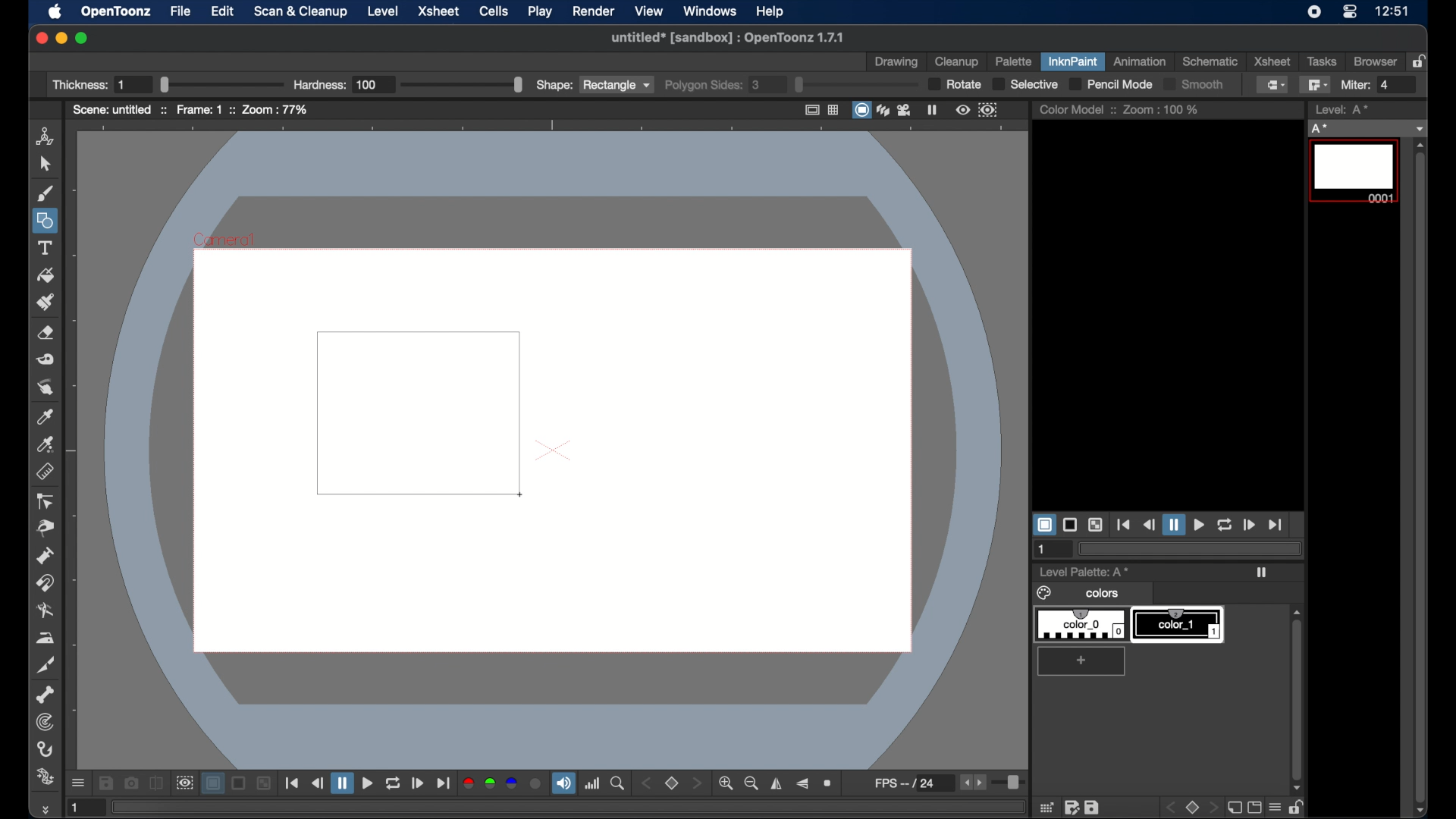  What do you see at coordinates (592, 85) in the screenshot?
I see `shape` at bounding box center [592, 85].